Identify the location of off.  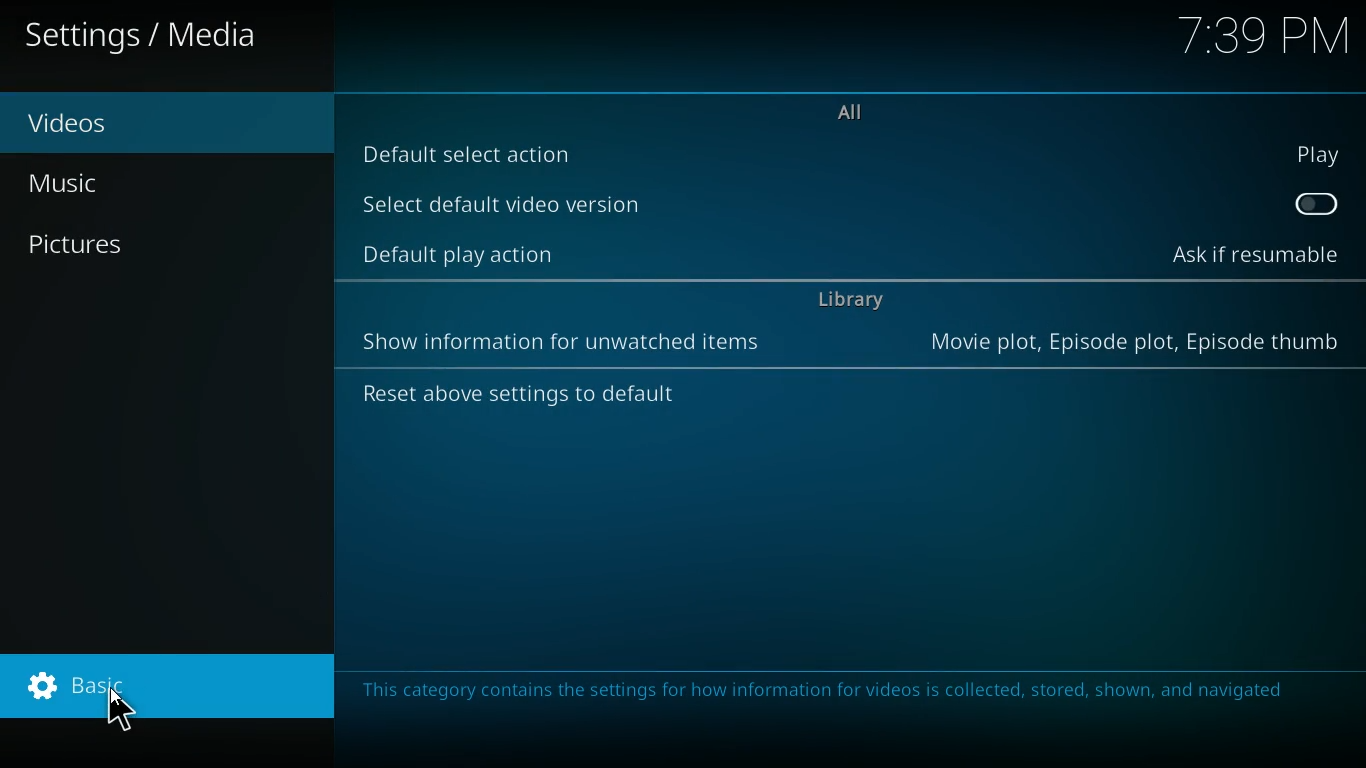
(1310, 204).